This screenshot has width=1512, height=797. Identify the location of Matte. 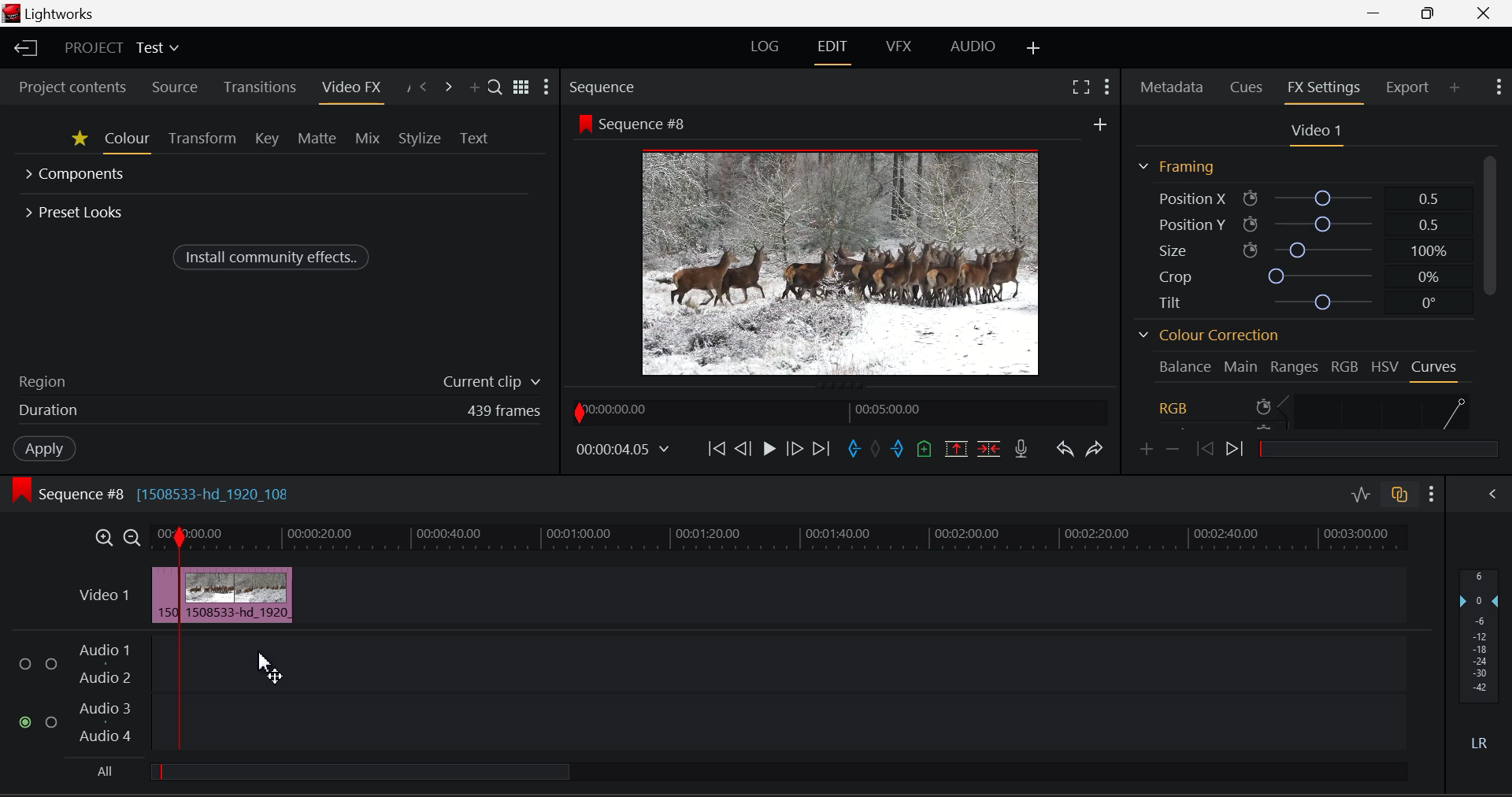
(317, 140).